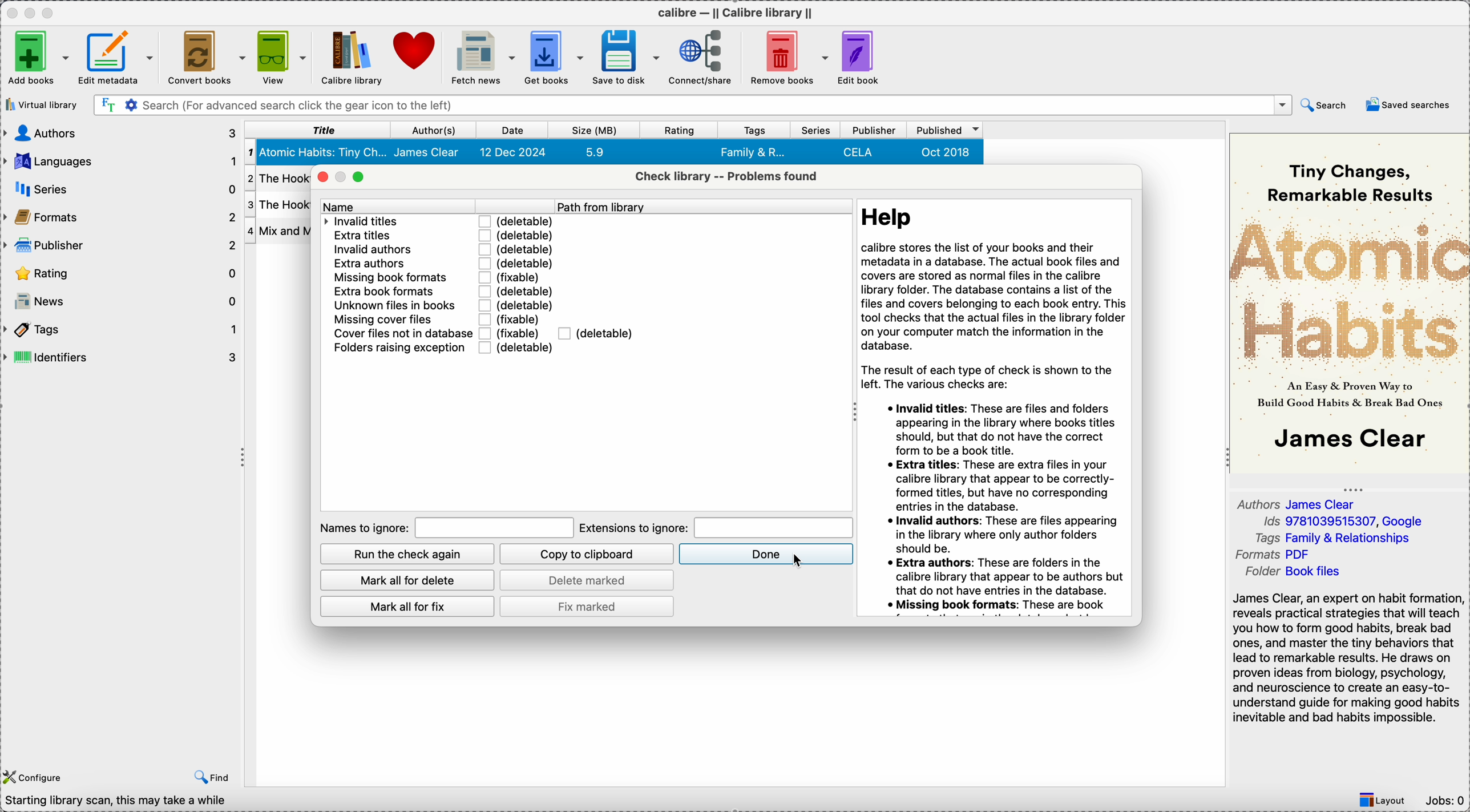 The height and width of the screenshot is (812, 1470). Describe the element at coordinates (360, 530) in the screenshot. I see `name to ignore` at that location.